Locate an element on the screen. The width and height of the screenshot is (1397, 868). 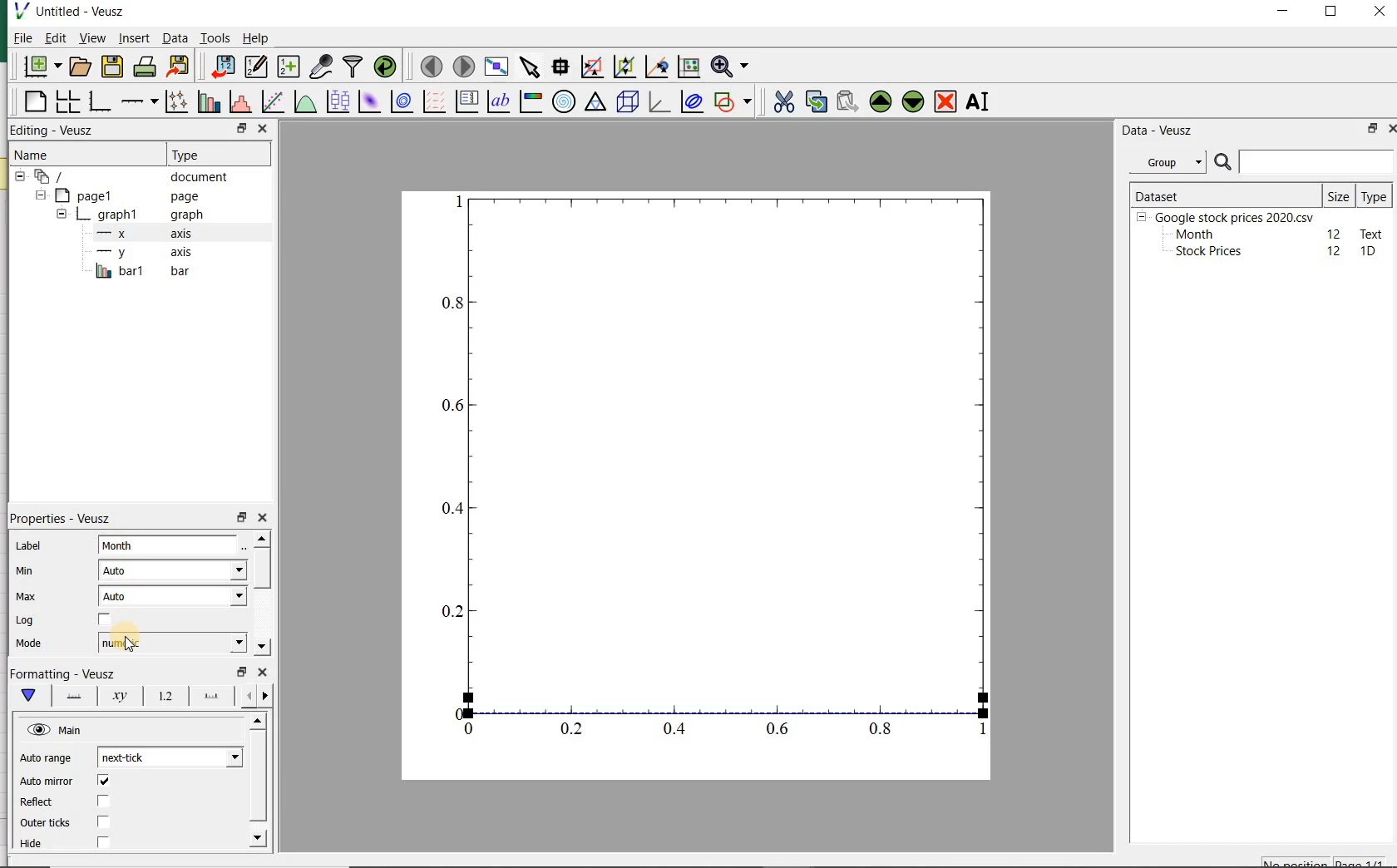
check/uncheck is located at coordinates (104, 622).